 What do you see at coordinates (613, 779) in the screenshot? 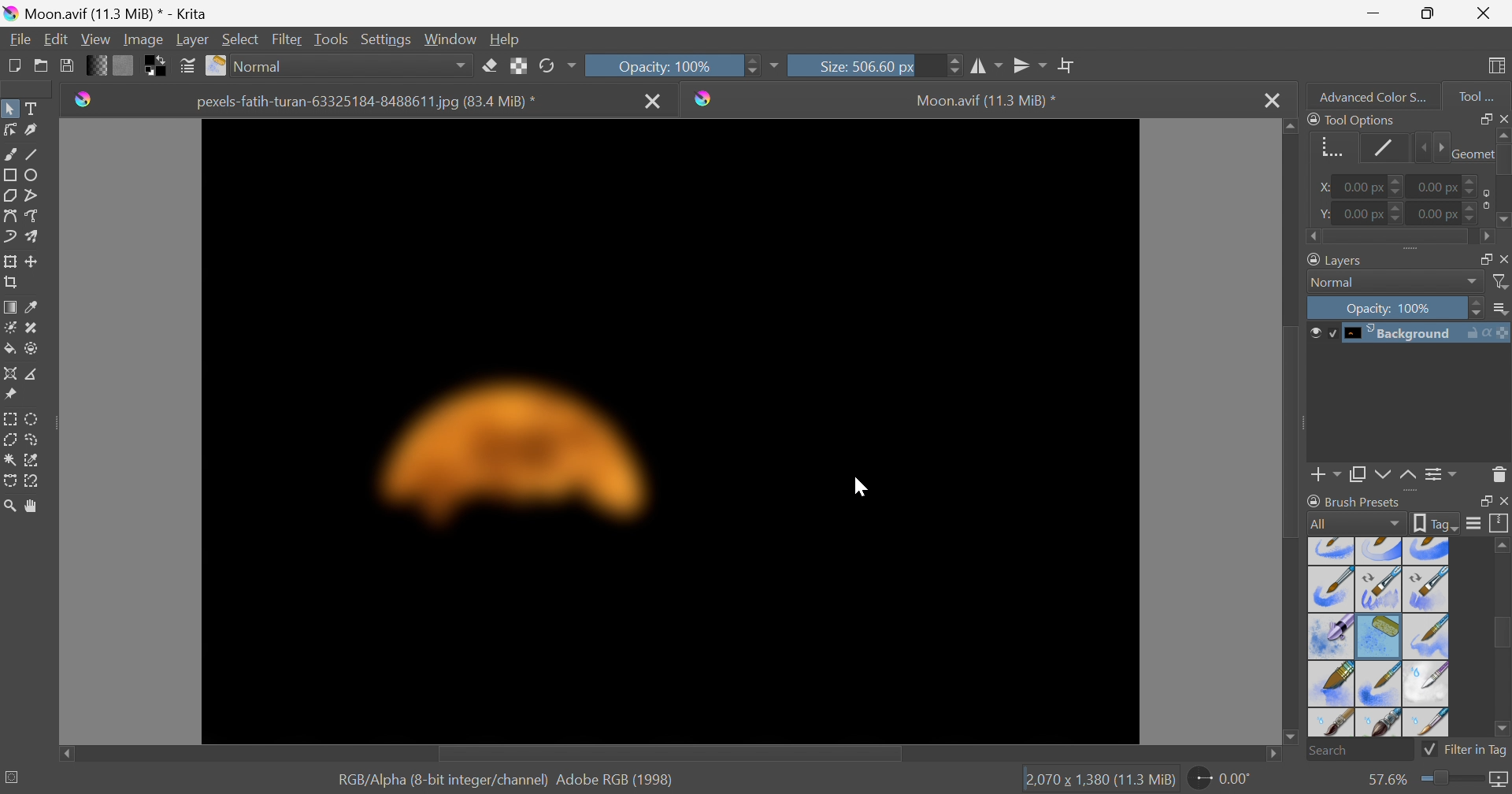
I see `Adobe RGB (1998)` at bounding box center [613, 779].